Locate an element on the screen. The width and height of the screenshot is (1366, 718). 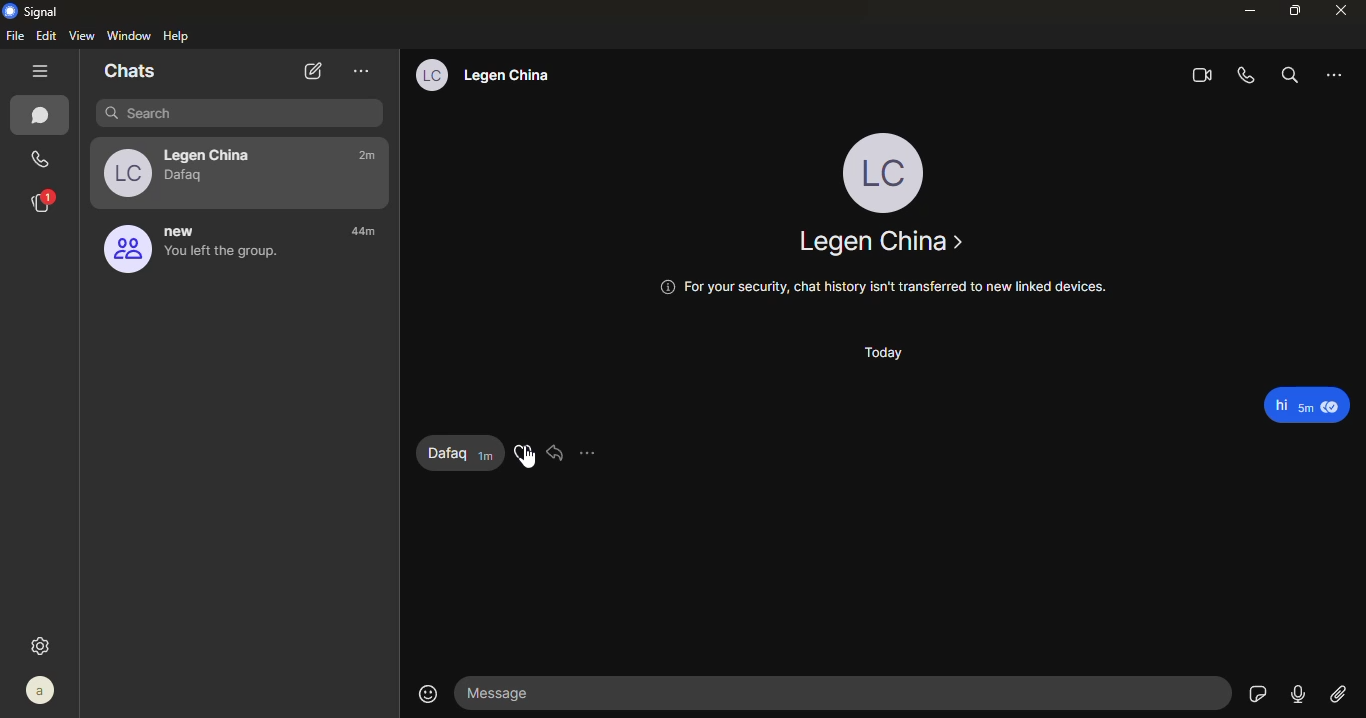
reply is located at coordinates (556, 454).